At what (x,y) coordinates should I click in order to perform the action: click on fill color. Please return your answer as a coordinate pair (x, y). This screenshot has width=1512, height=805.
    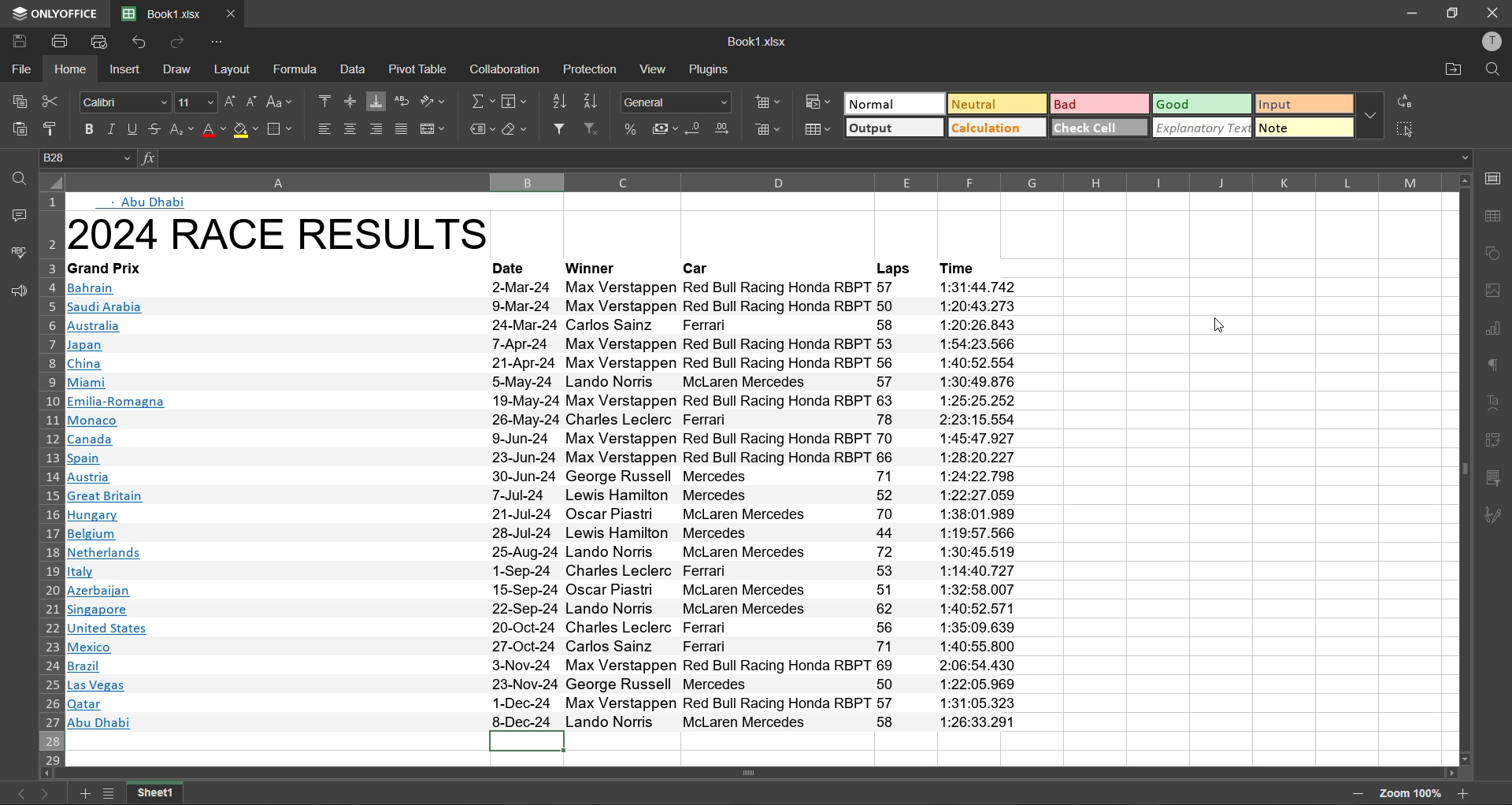
    Looking at the image, I should click on (246, 131).